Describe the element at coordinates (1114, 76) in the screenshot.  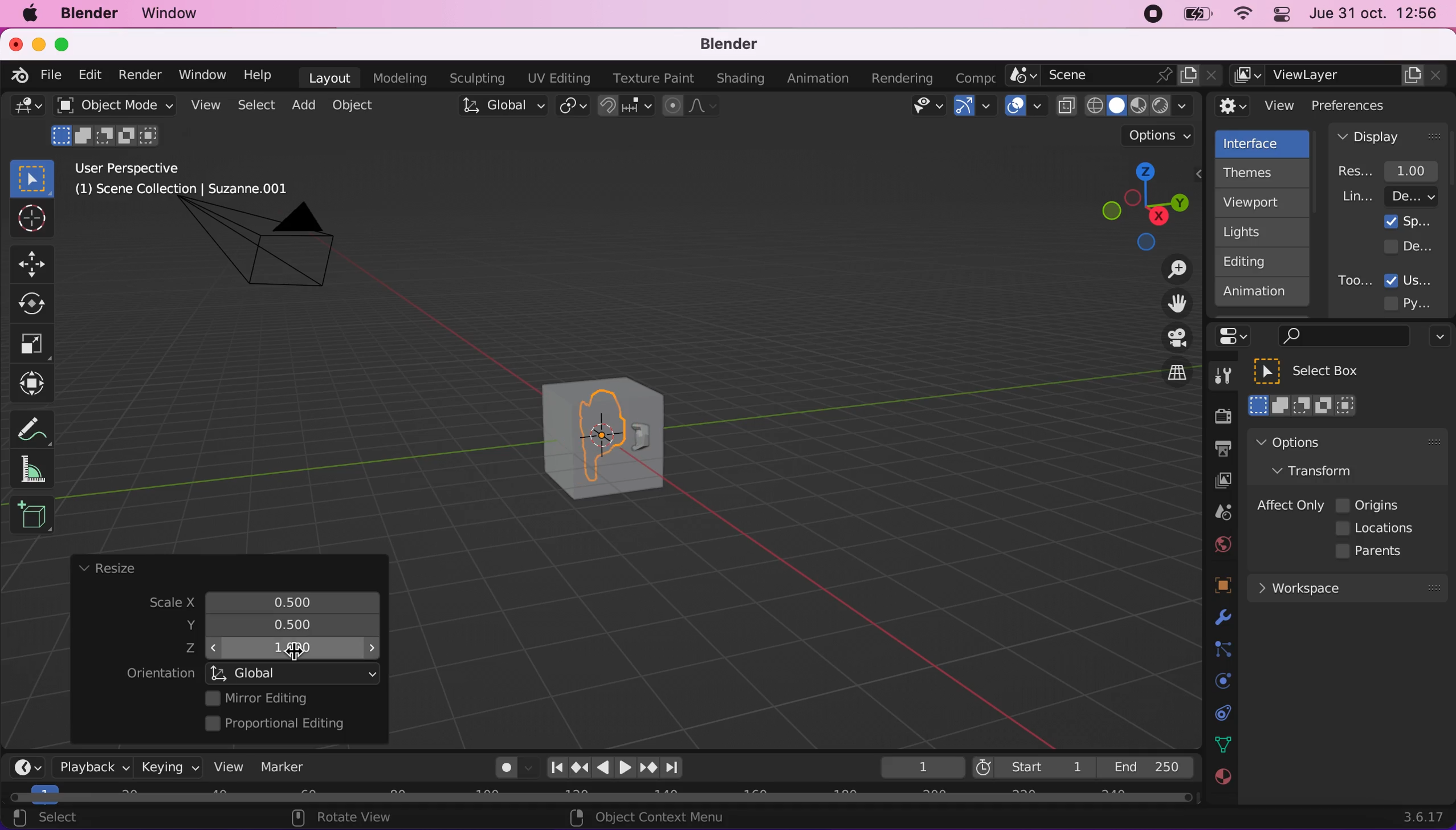
I see `scene` at that location.